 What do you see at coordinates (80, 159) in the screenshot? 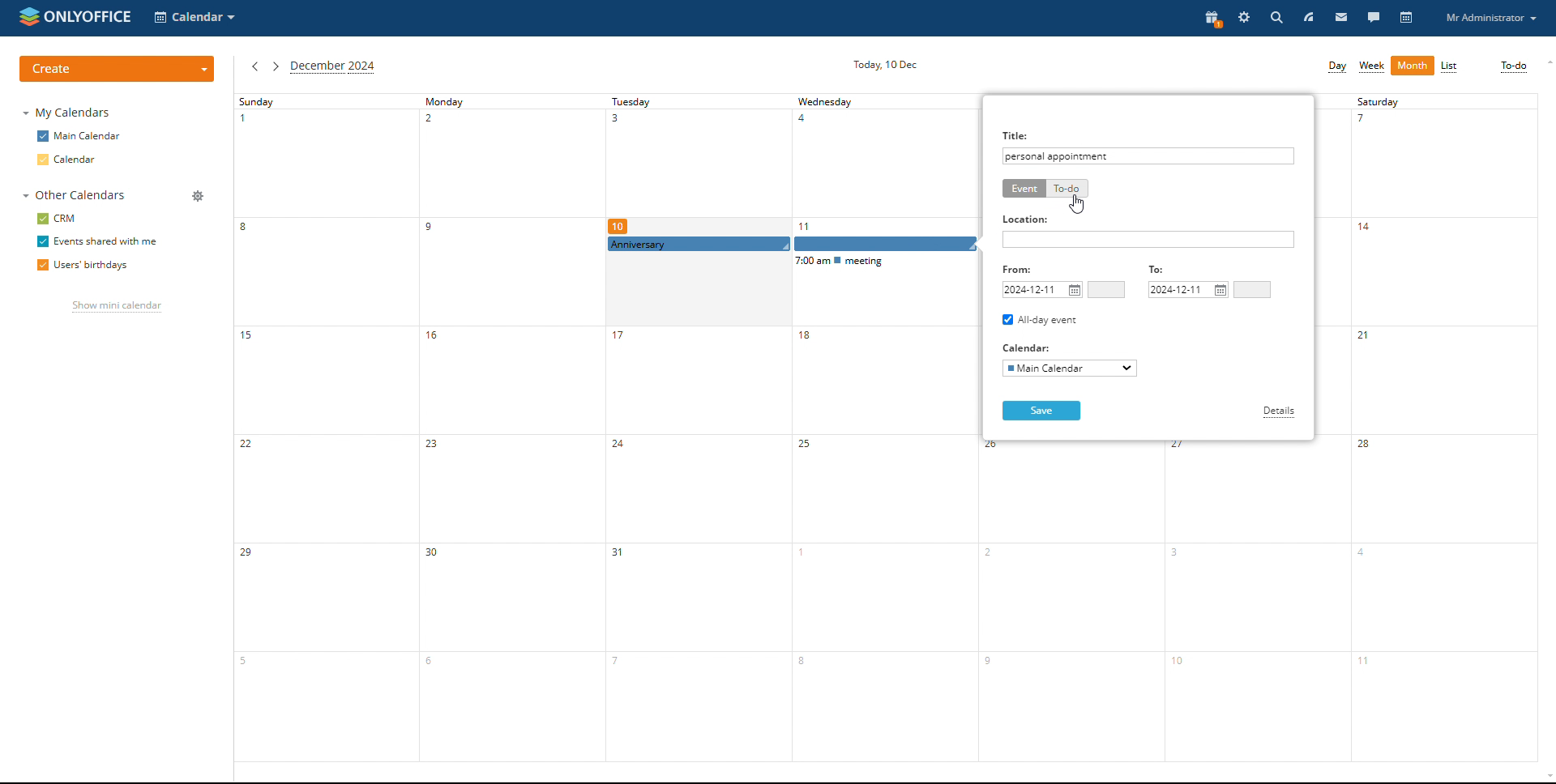
I see `calendar` at bounding box center [80, 159].